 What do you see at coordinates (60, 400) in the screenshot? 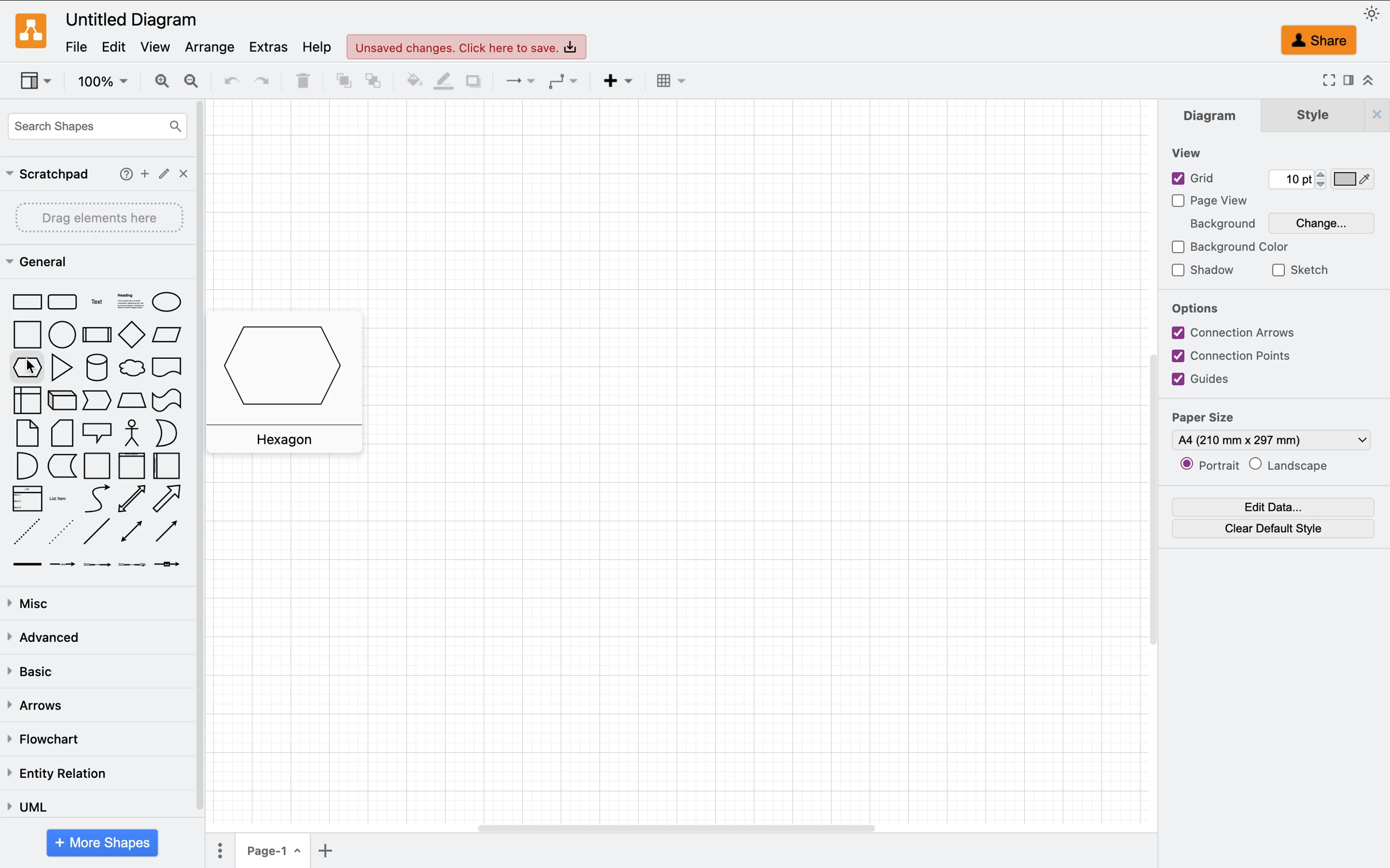
I see `cube` at bounding box center [60, 400].